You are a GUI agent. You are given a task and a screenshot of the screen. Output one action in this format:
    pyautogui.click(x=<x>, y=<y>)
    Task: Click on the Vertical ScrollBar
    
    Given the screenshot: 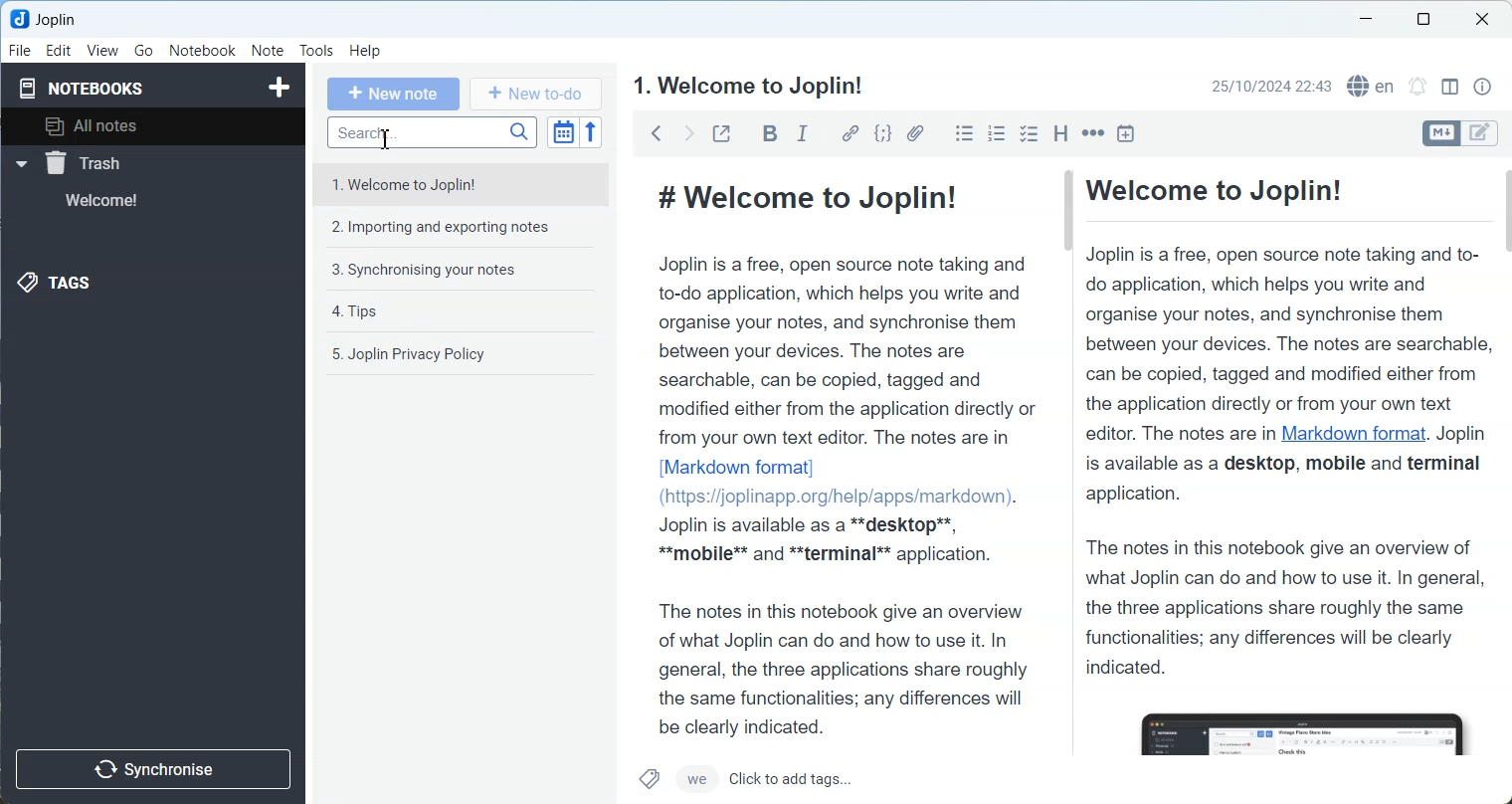 What is the action you would take?
    pyautogui.click(x=1066, y=371)
    